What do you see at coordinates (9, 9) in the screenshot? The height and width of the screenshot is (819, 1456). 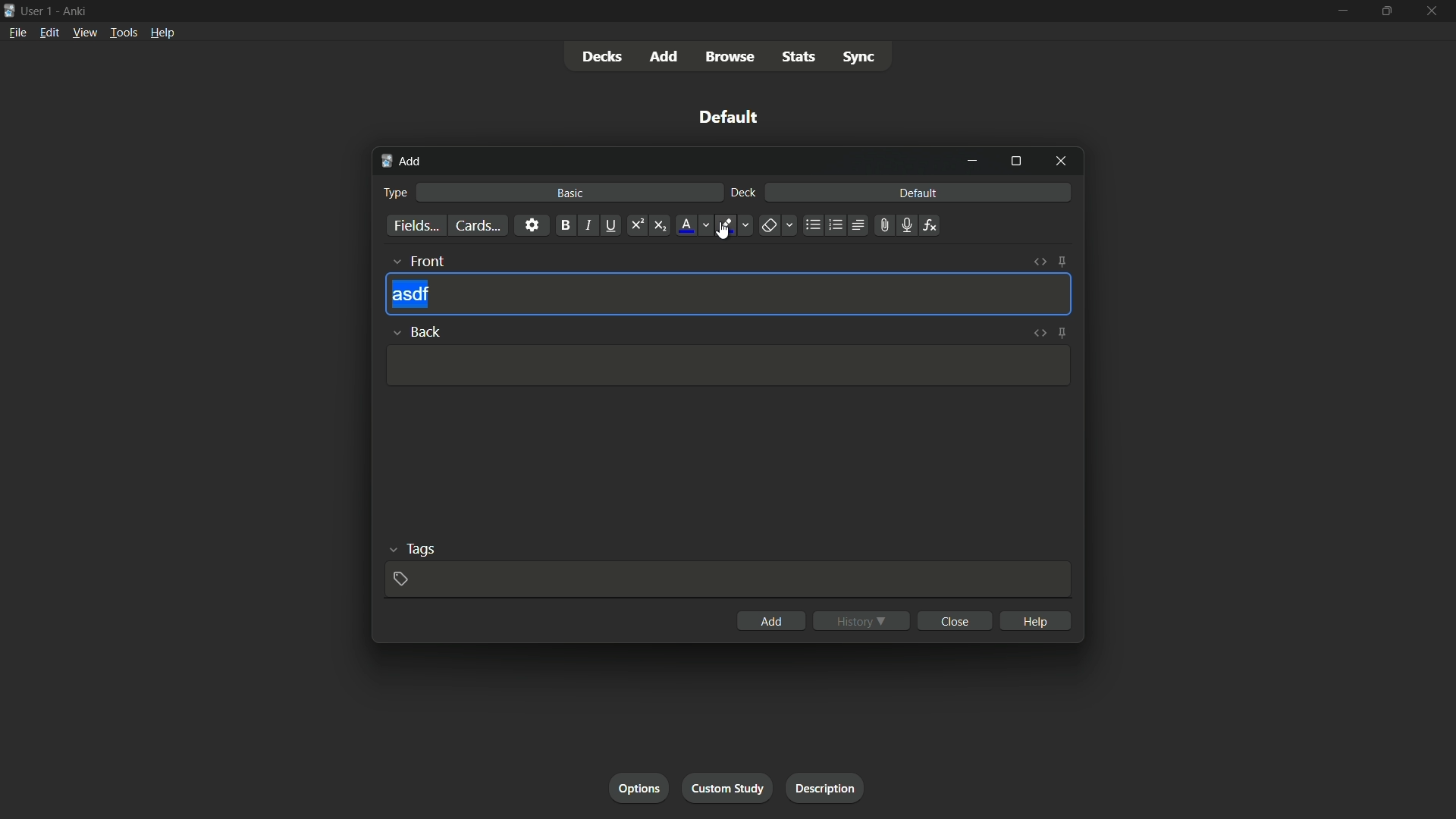 I see `icon` at bounding box center [9, 9].